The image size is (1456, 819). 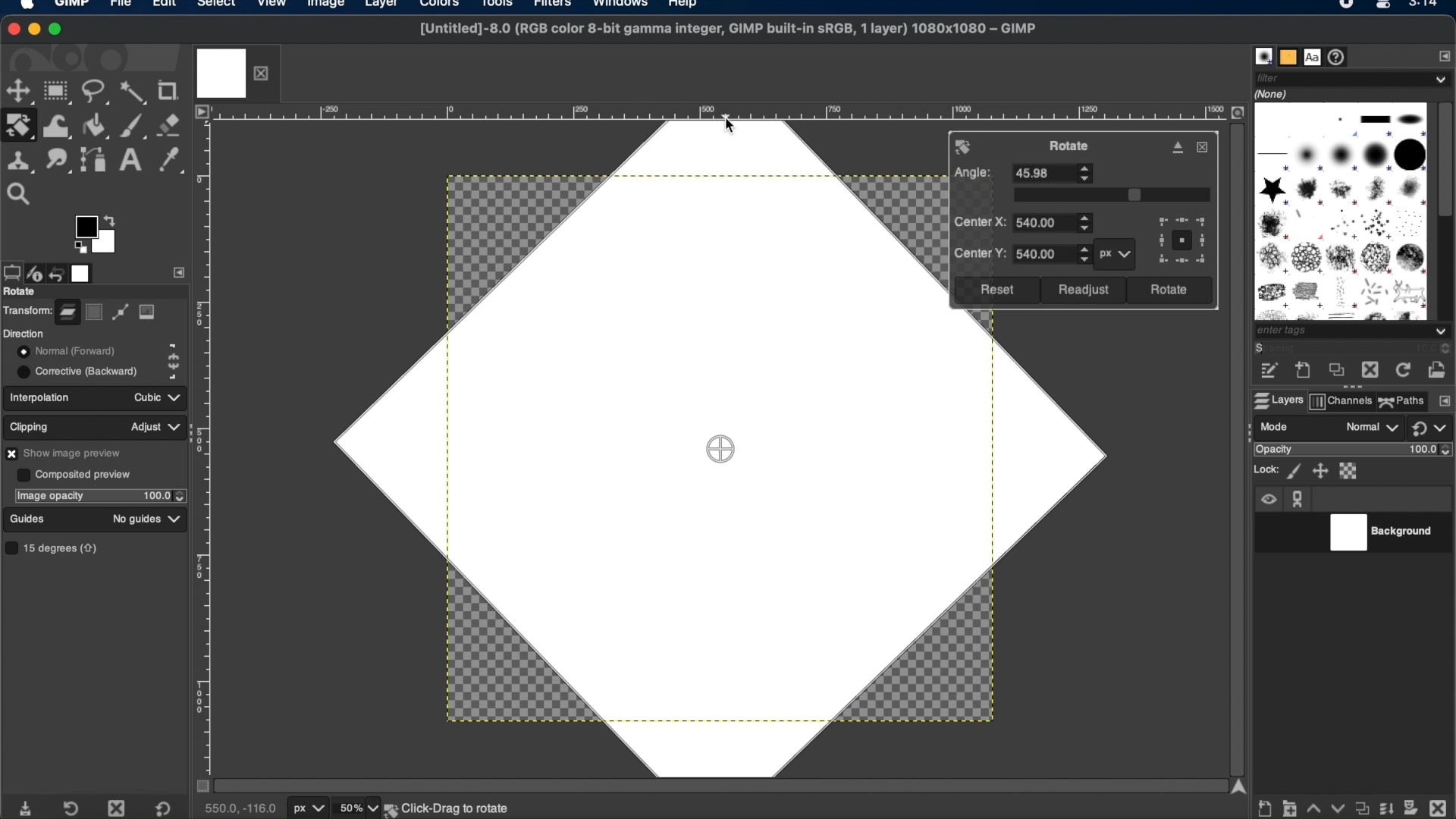 What do you see at coordinates (324, 6) in the screenshot?
I see `image` at bounding box center [324, 6].